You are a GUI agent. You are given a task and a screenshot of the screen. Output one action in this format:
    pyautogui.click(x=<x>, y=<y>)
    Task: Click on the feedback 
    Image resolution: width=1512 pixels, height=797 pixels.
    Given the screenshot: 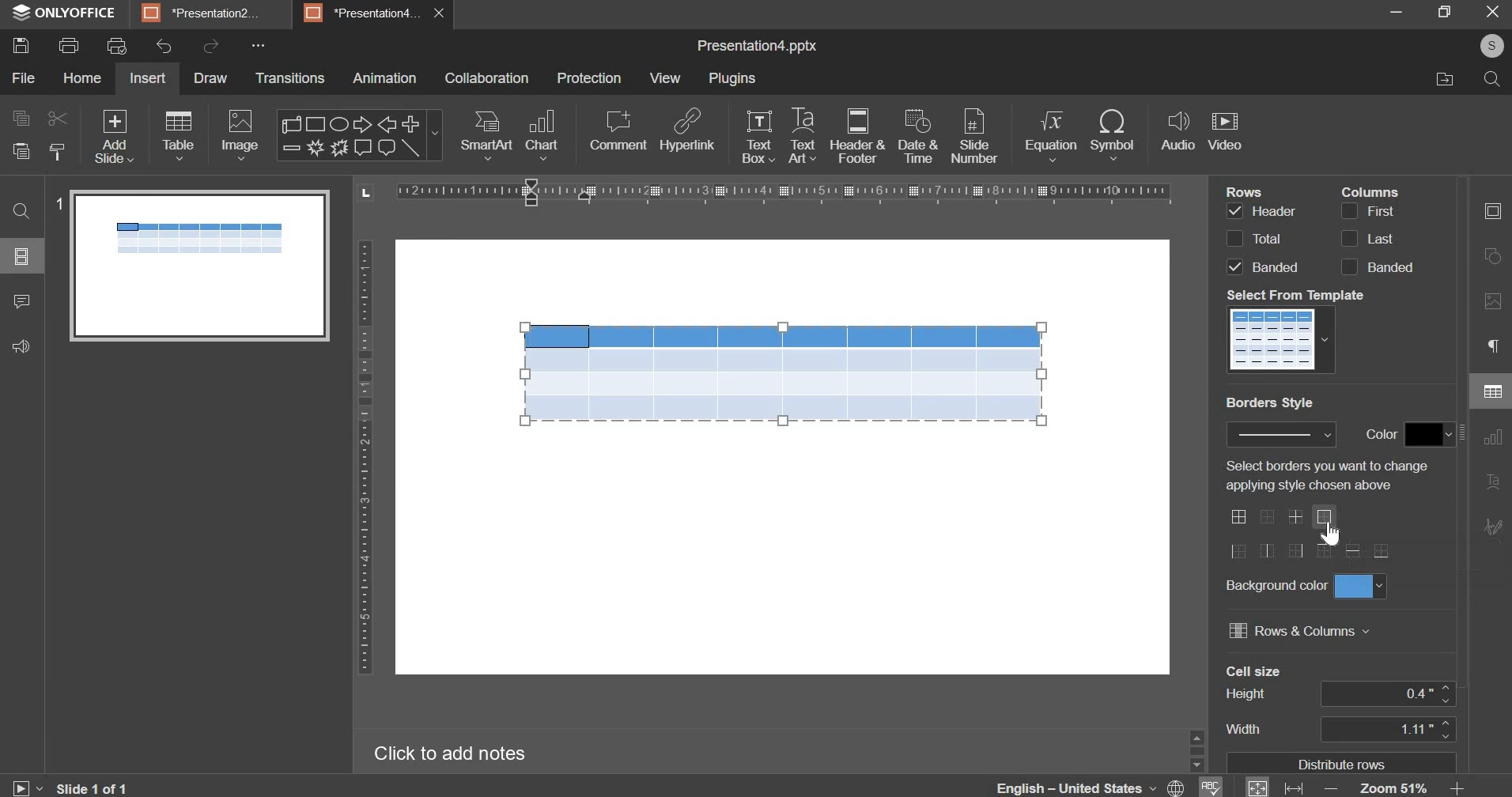 What is the action you would take?
    pyautogui.click(x=23, y=346)
    